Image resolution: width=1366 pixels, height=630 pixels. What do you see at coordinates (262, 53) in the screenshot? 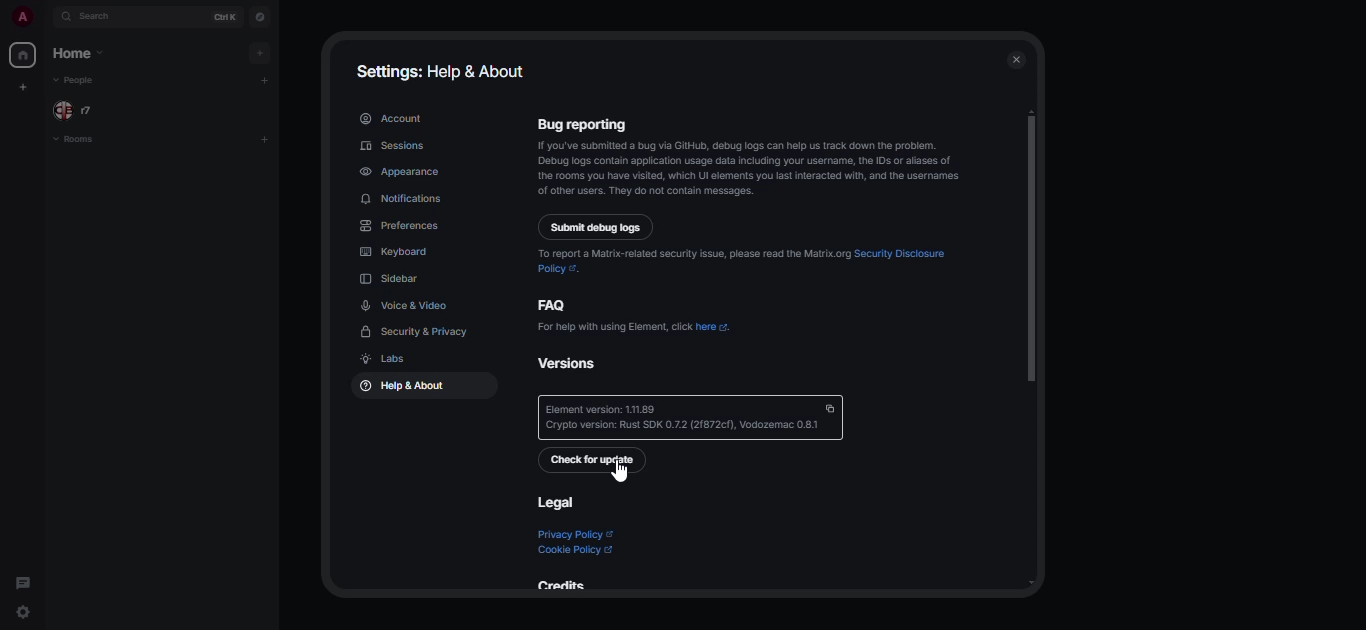
I see `add` at bounding box center [262, 53].